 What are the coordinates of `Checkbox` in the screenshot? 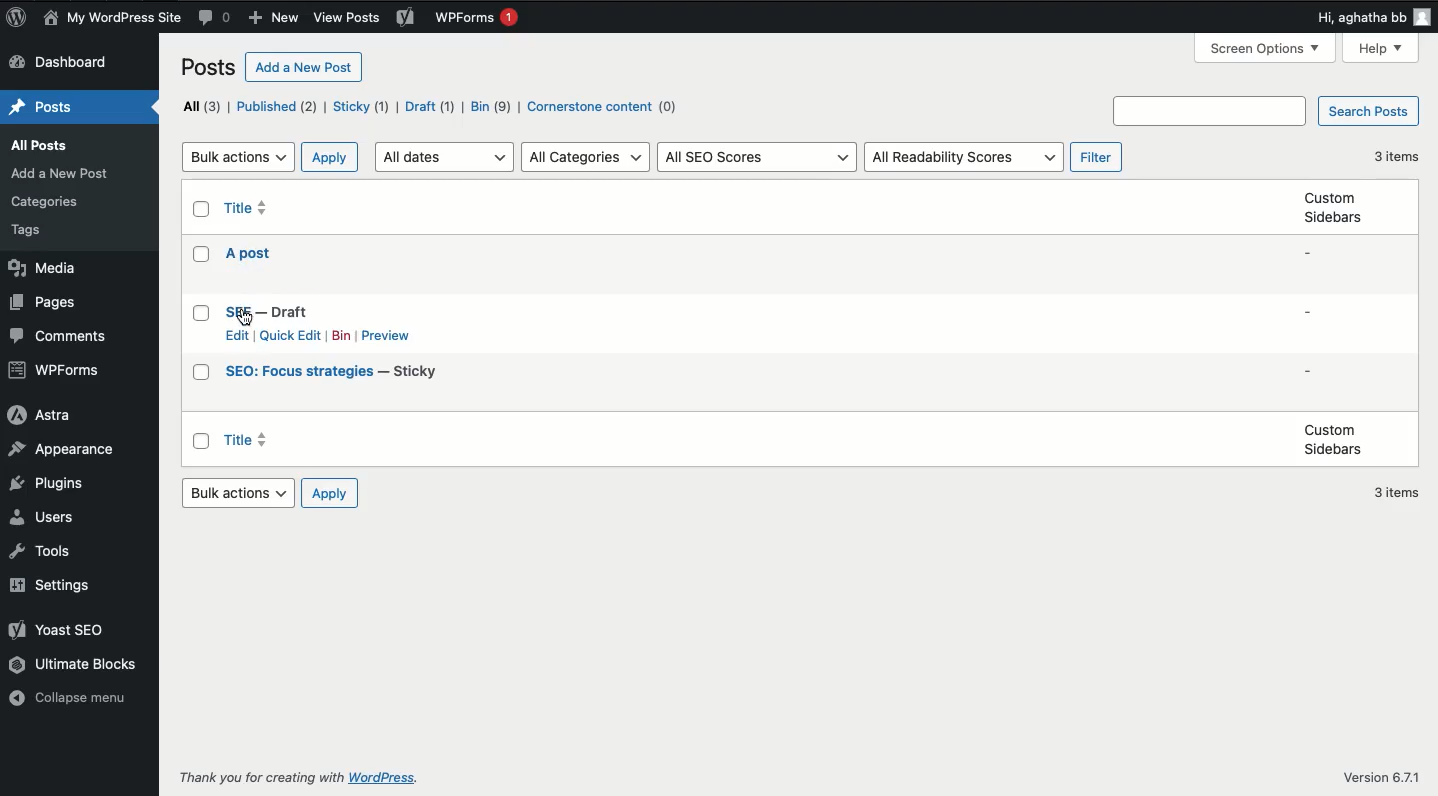 It's located at (197, 208).